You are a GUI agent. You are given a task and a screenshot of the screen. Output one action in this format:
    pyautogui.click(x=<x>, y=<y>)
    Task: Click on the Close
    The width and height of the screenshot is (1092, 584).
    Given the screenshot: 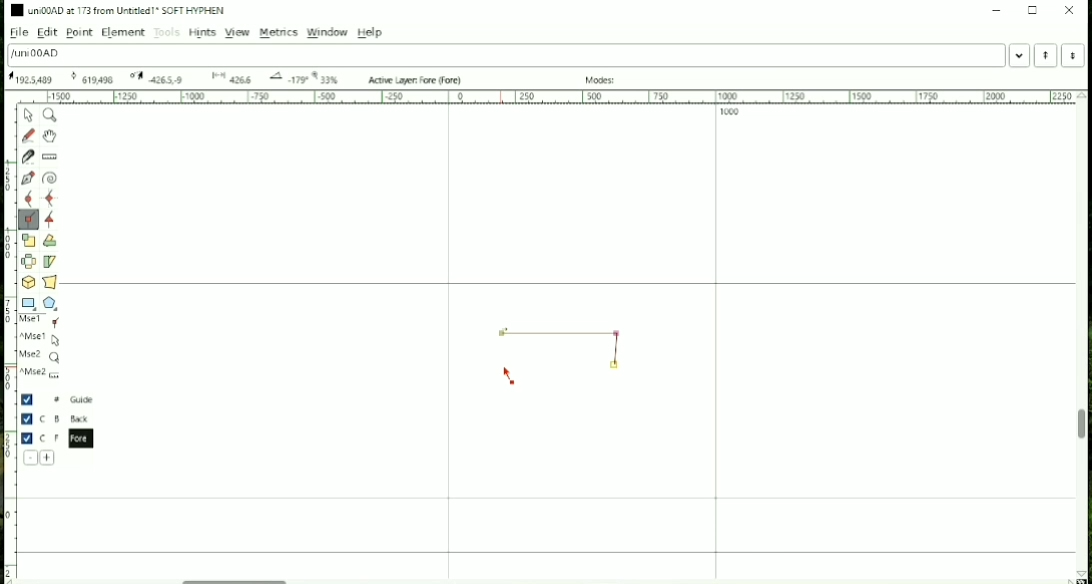 What is the action you would take?
    pyautogui.click(x=1070, y=10)
    